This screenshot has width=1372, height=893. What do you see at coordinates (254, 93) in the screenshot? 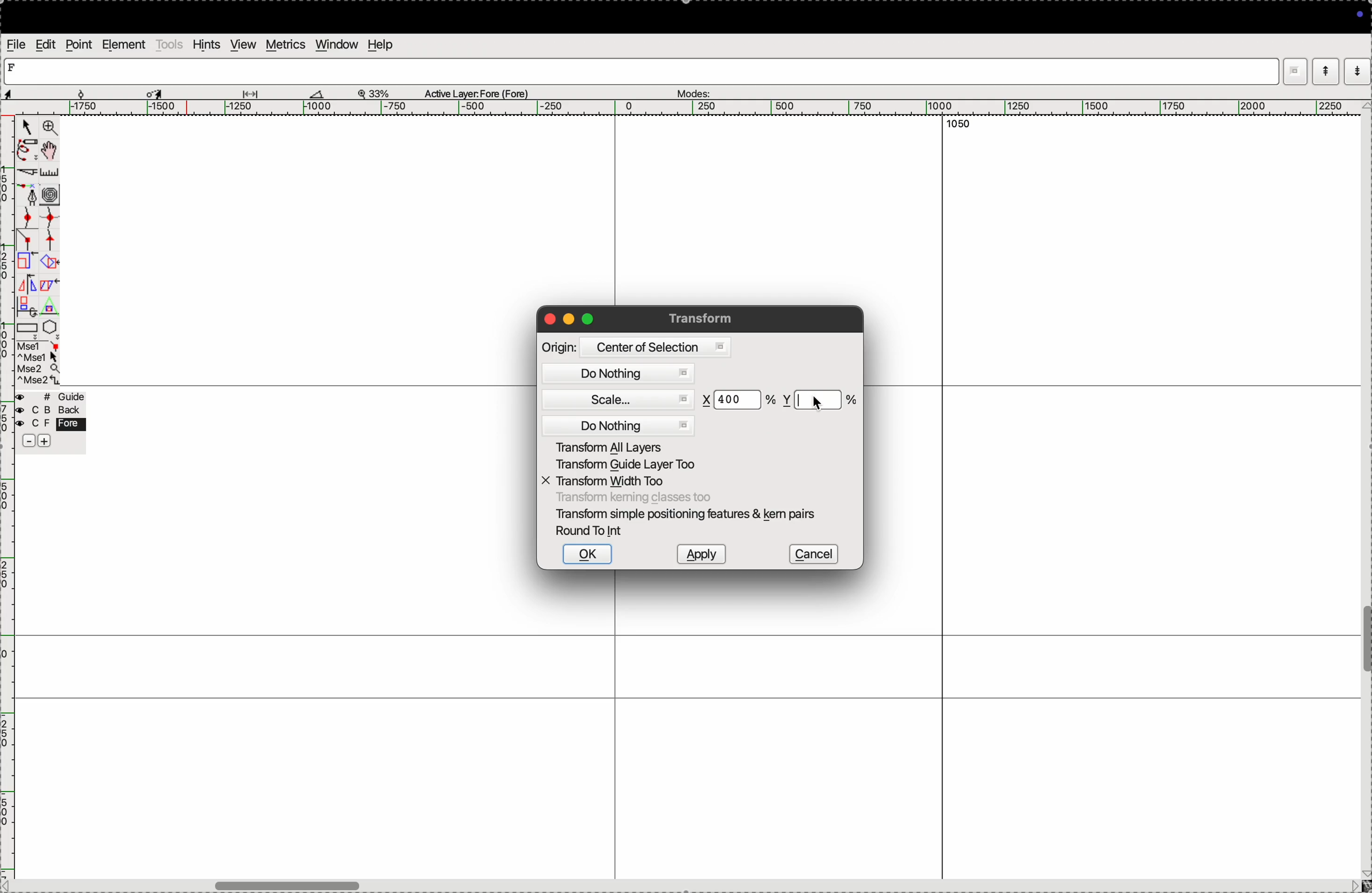
I see `glide` at bounding box center [254, 93].